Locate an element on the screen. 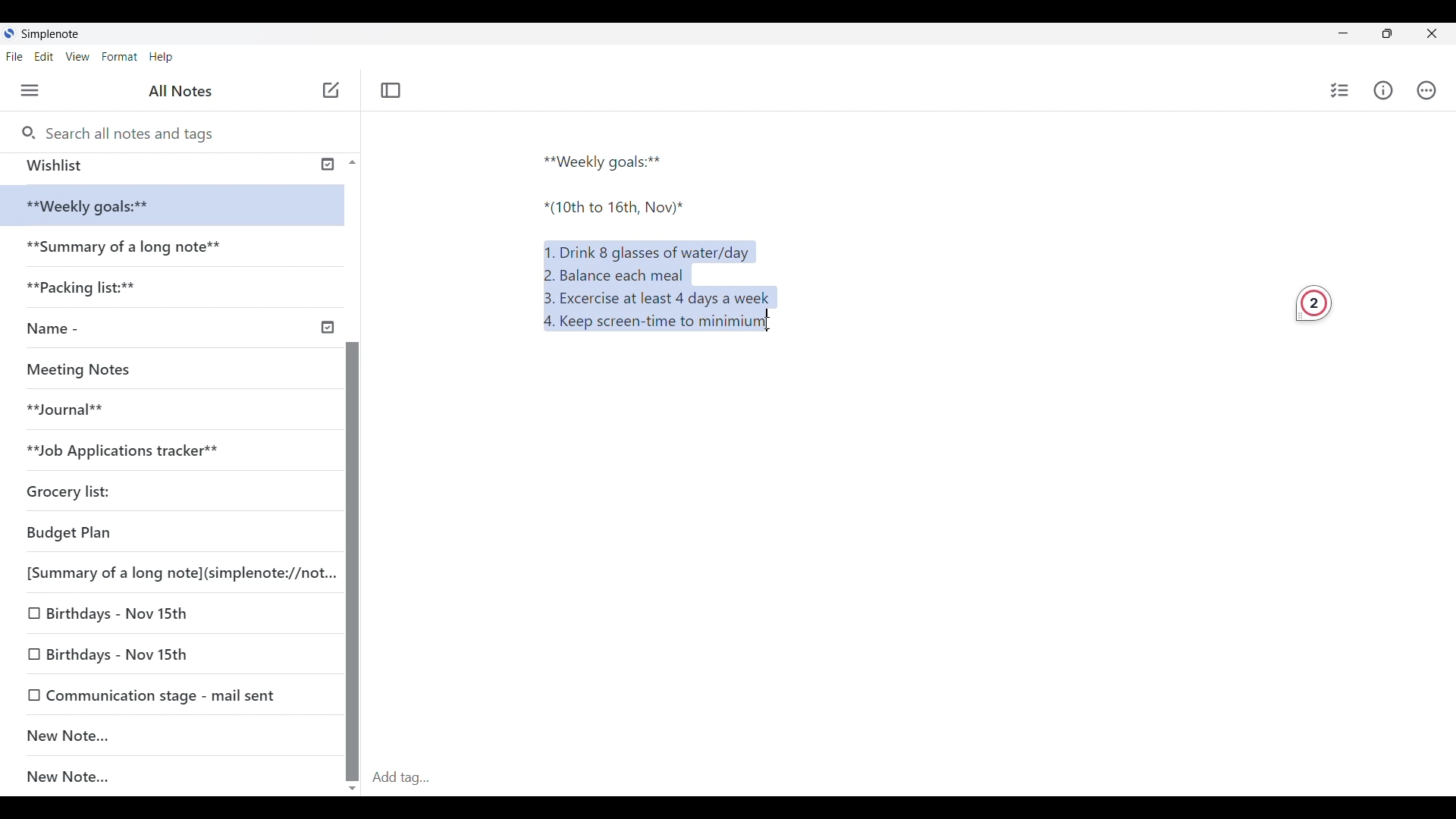 The width and height of the screenshot is (1456, 819). New note... is located at coordinates (180, 777).